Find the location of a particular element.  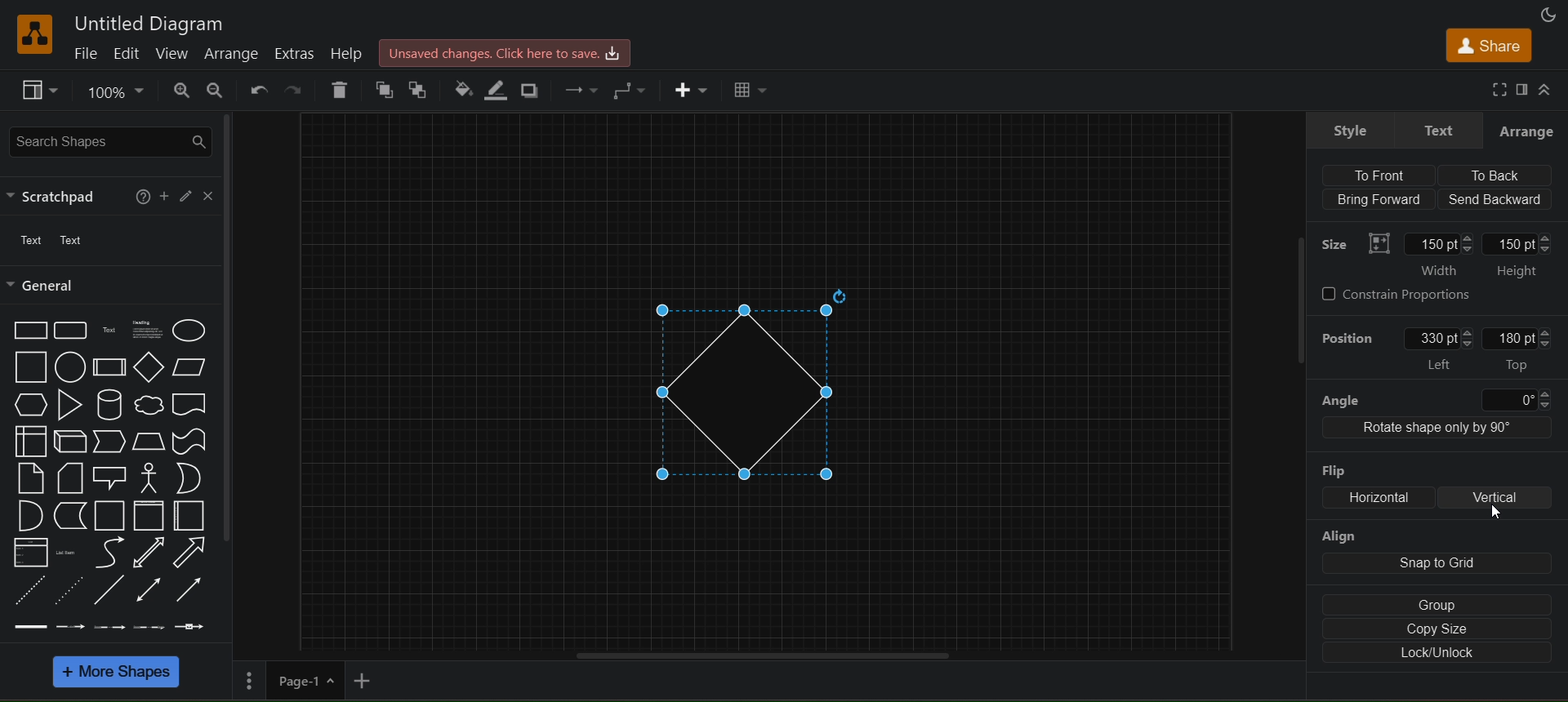

edit is located at coordinates (132, 52).